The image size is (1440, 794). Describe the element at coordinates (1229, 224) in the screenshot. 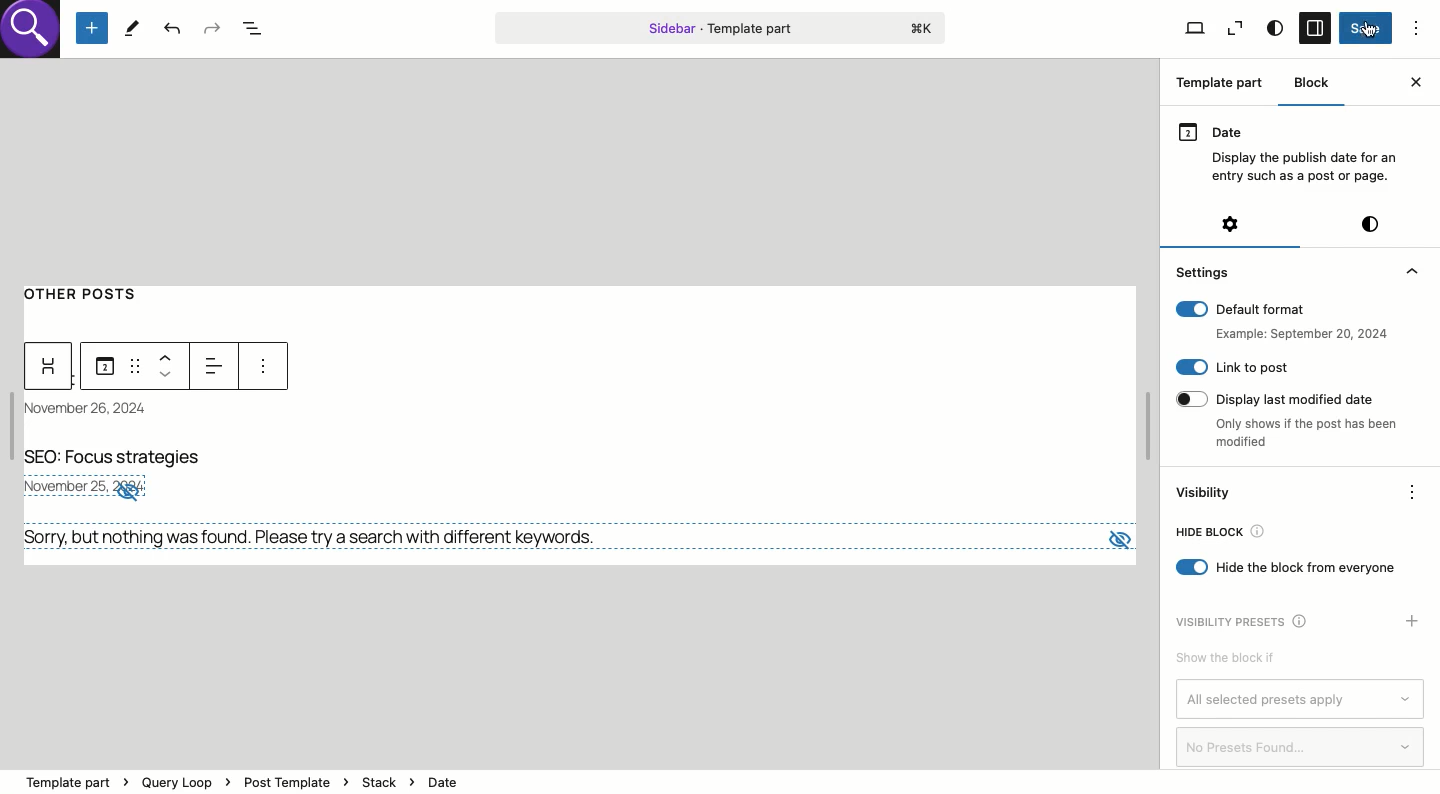

I see `Settings` at that location.